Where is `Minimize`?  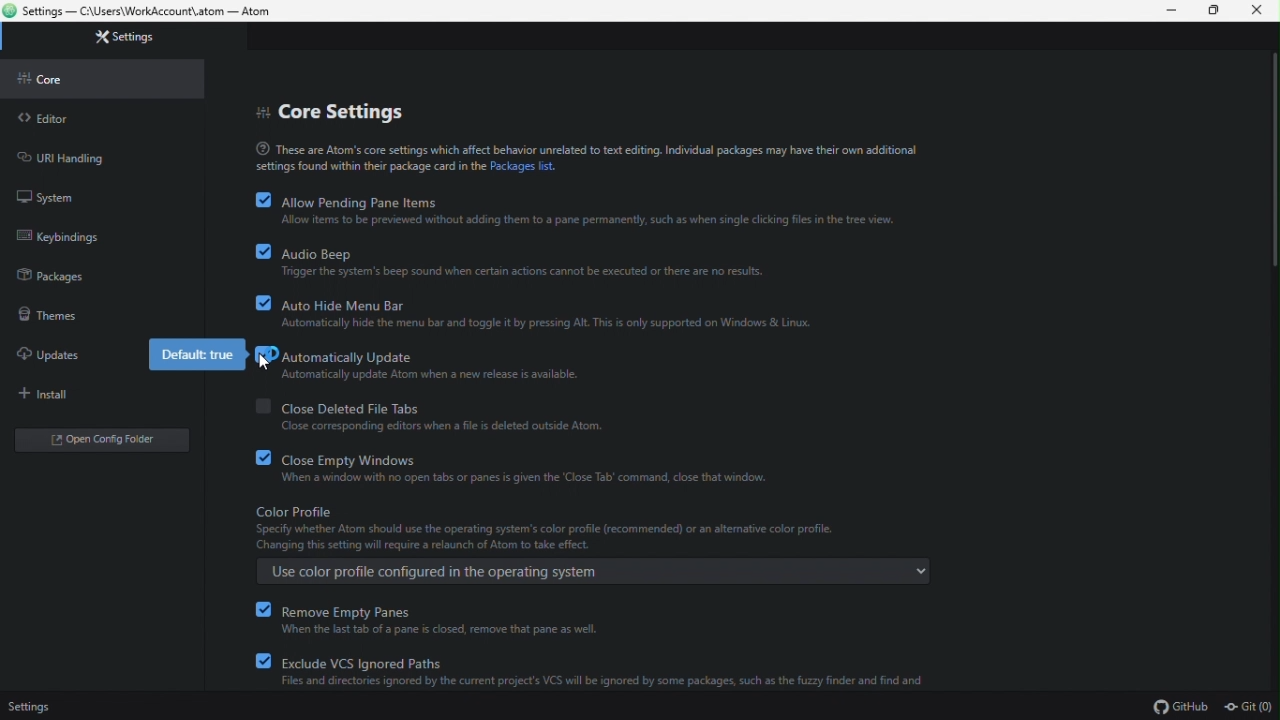
Minimize is located at coordinates (1172, 12).